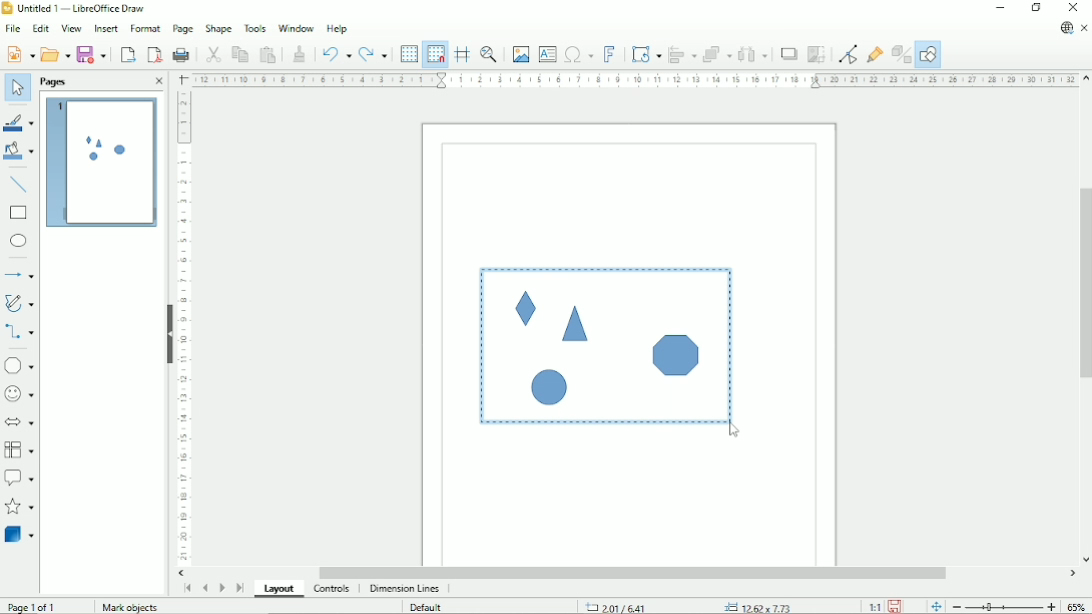 Image resolution: width=1092 pixels, height=614 pixels. I want to click on Default, so click(429, 606).